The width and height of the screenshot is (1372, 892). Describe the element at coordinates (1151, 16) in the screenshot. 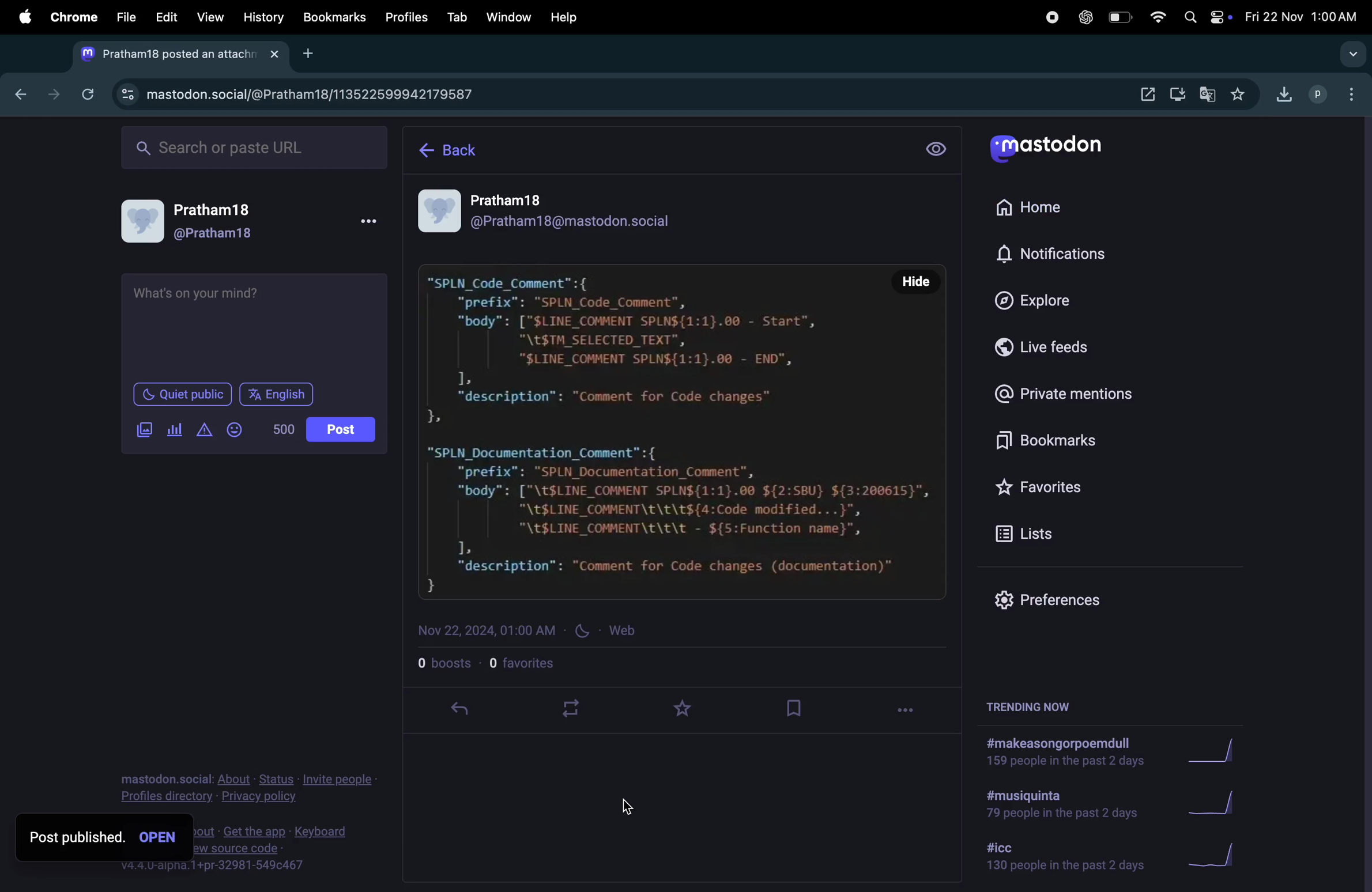

I see `wifi` at that location.